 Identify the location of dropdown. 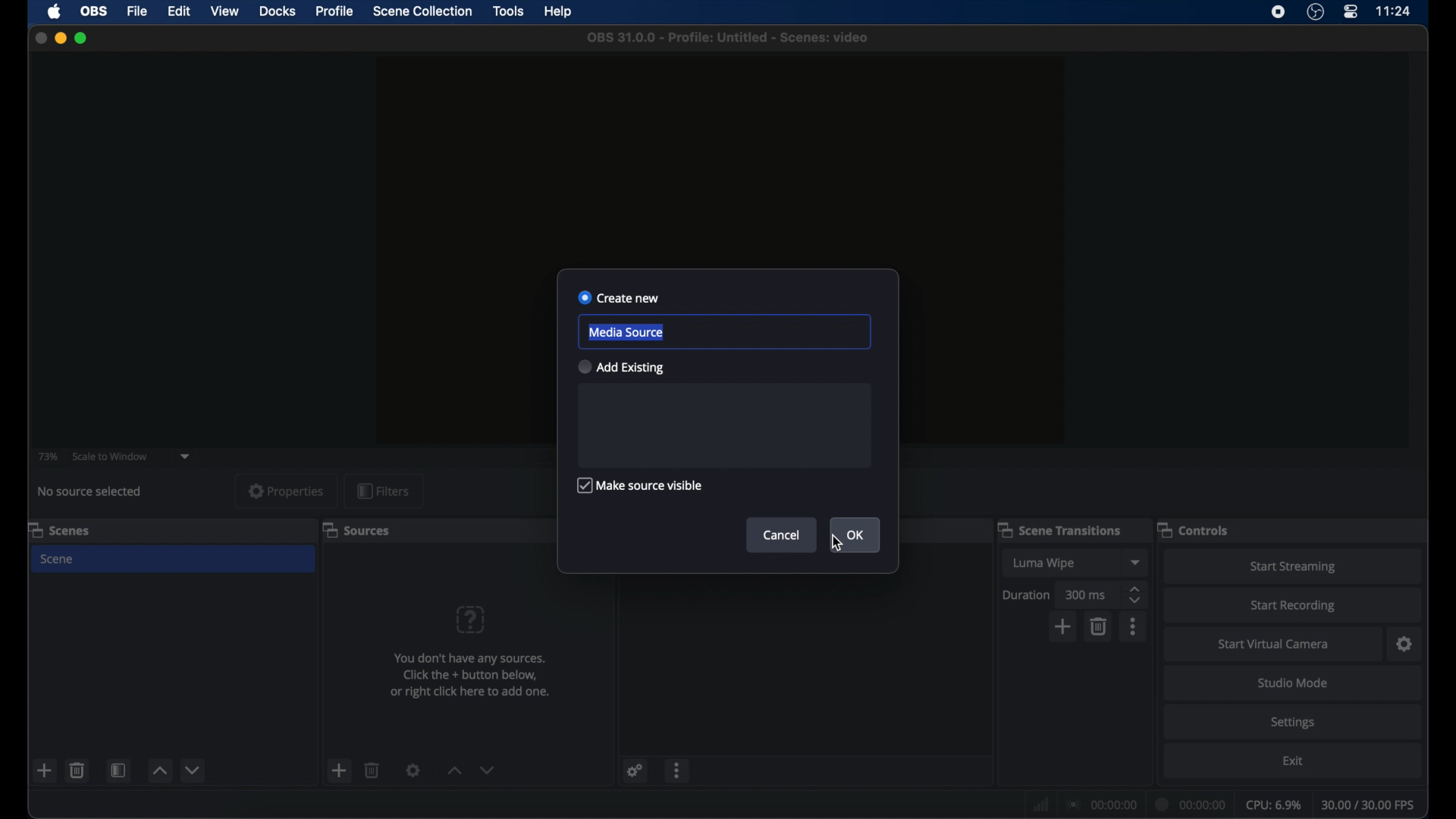
(186, 457).